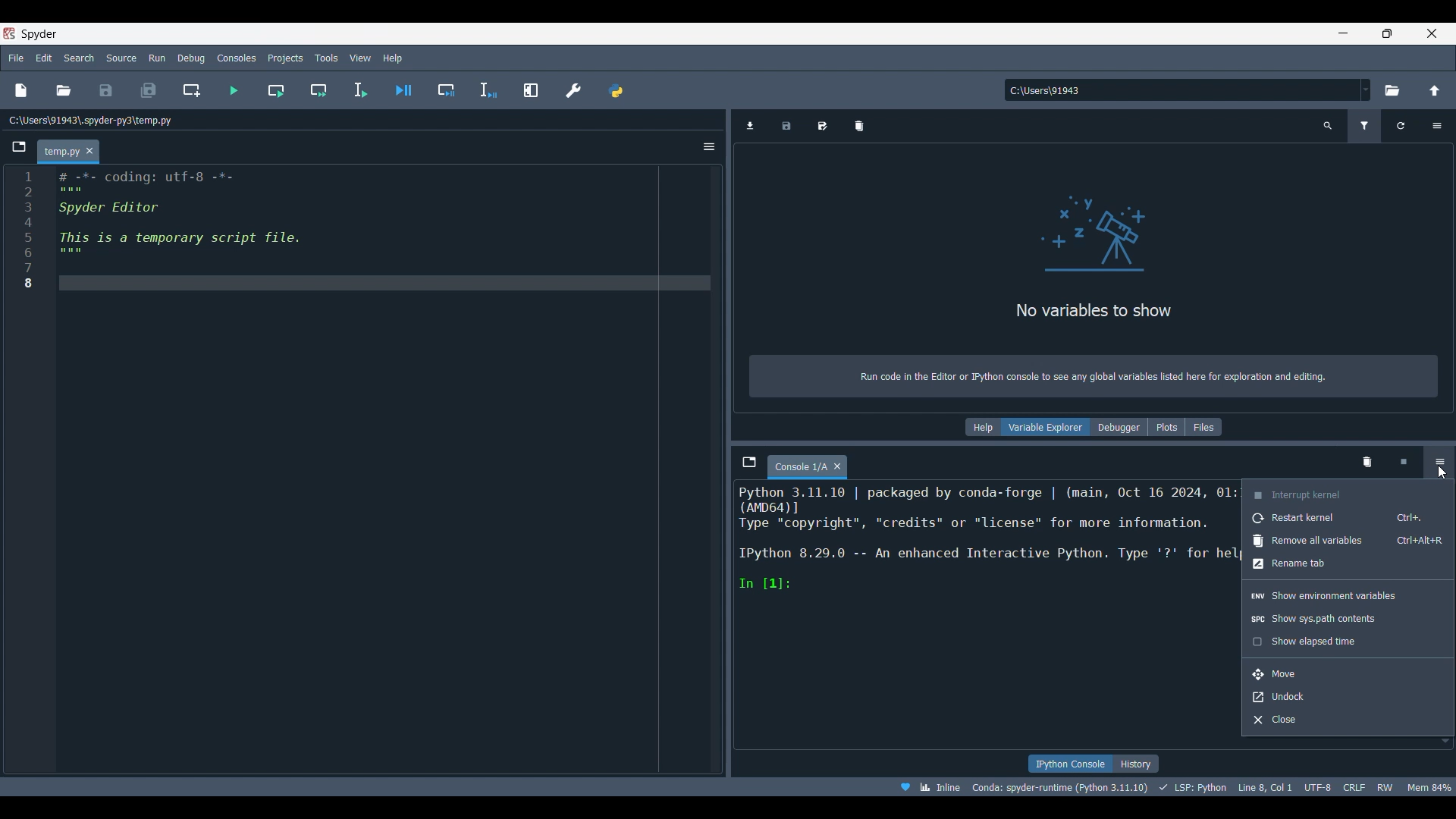  What do you see at coordinates (531, 90) in the screenshot?
I see `Maximize current pane` at bounding box center [531, 90].